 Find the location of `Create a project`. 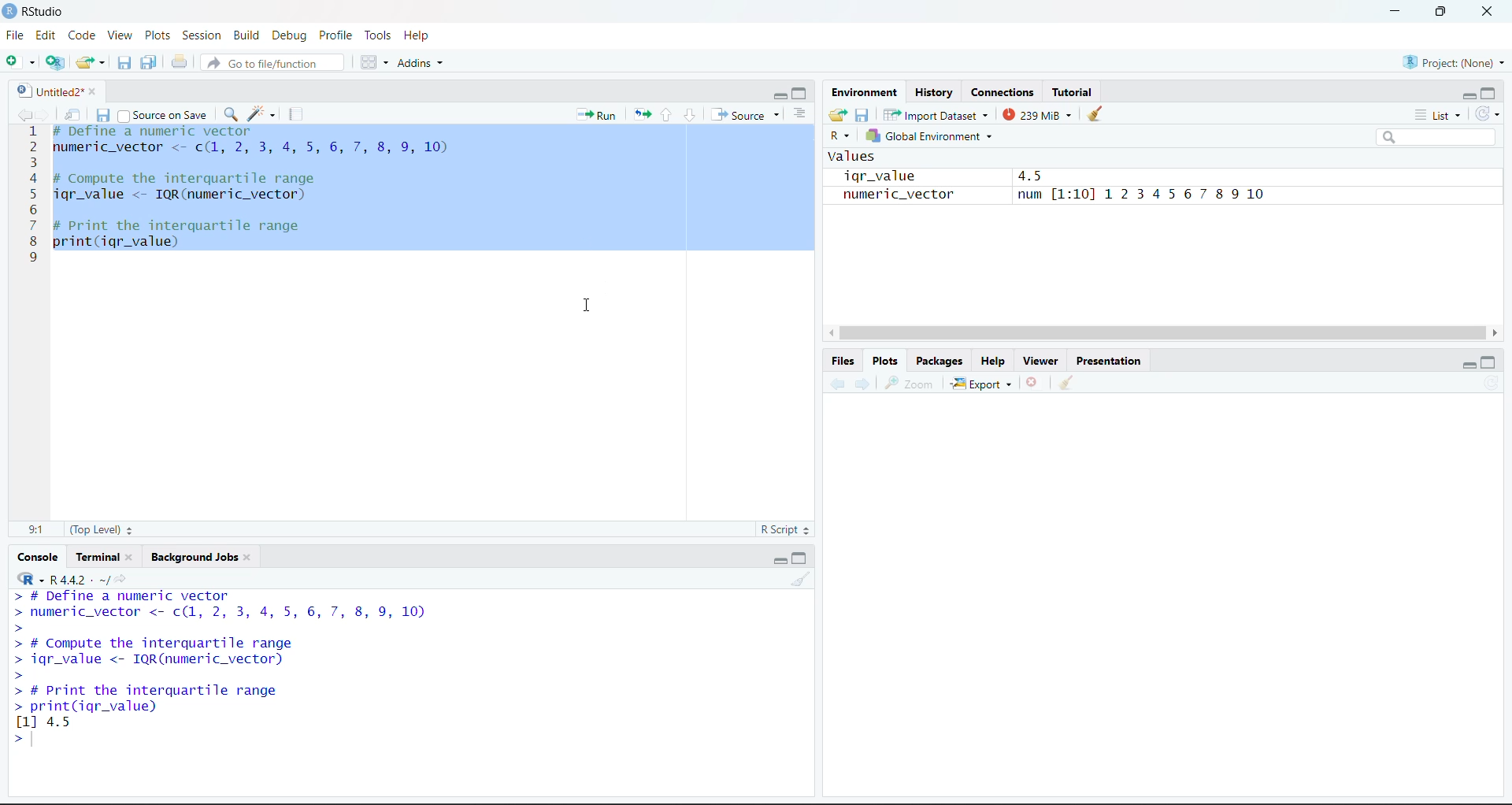

Create a project is located at coordinates (56, 61).